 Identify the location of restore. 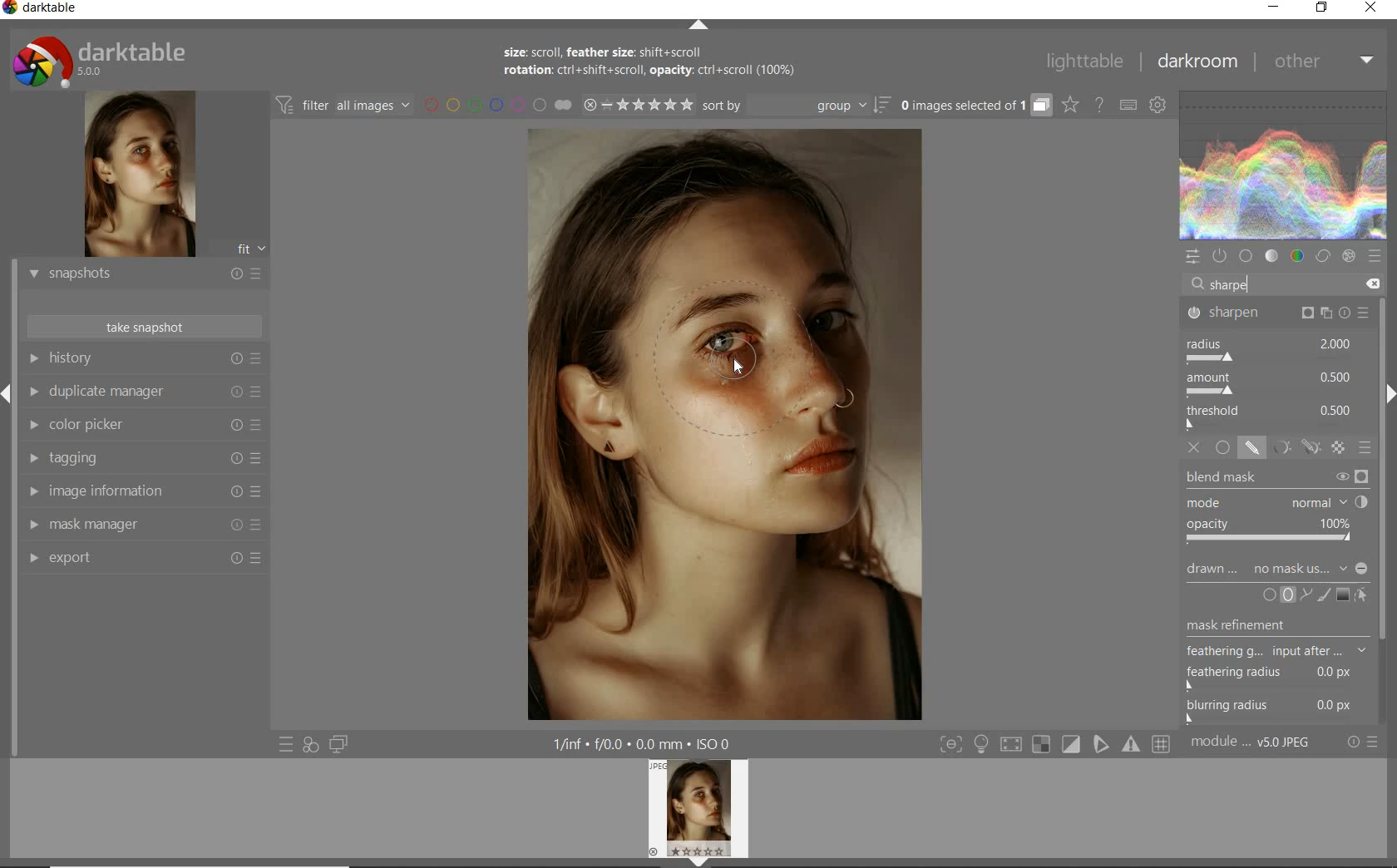
(1322, 7).